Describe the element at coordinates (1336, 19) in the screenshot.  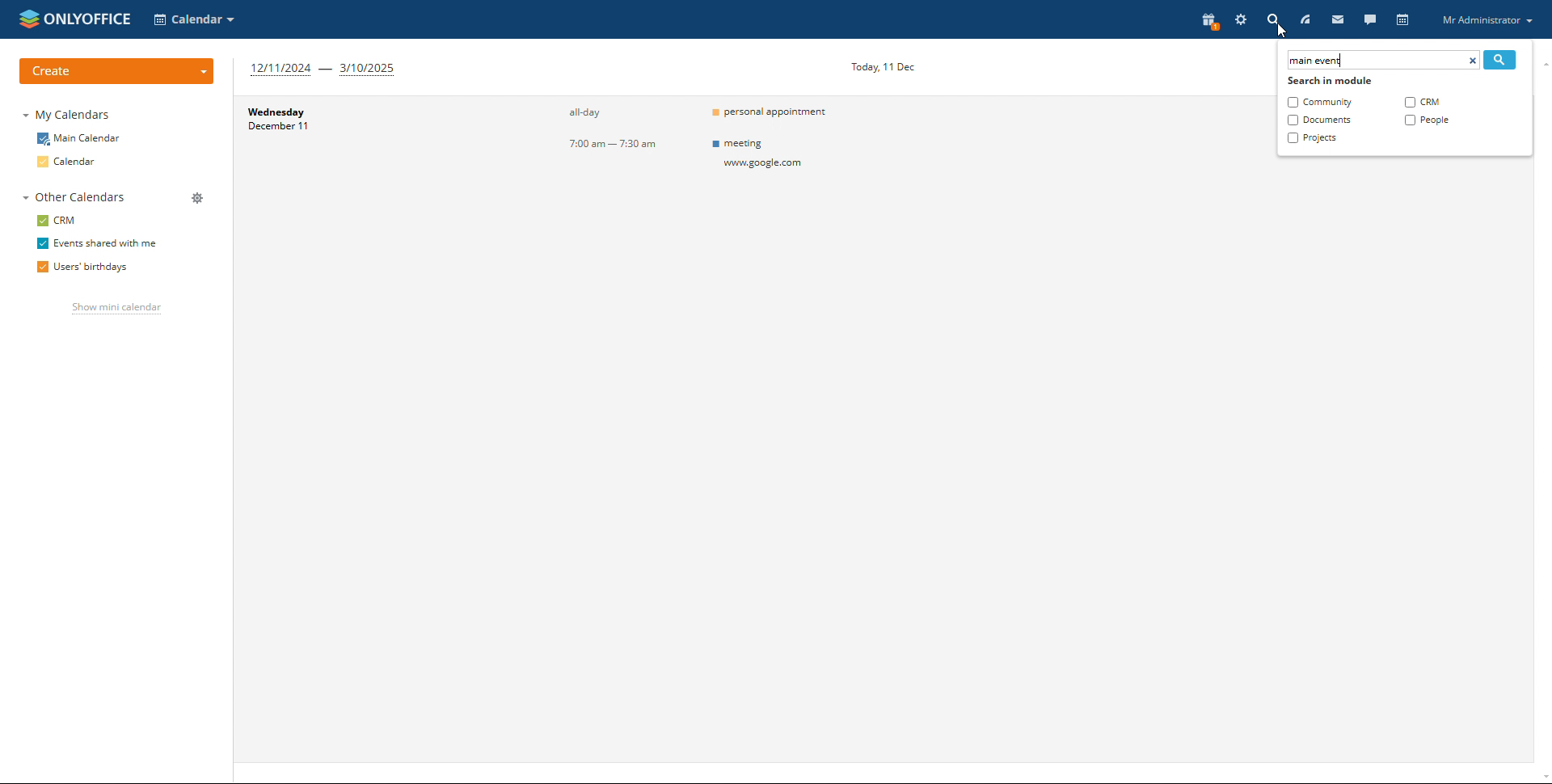
I see `mail` at that location.